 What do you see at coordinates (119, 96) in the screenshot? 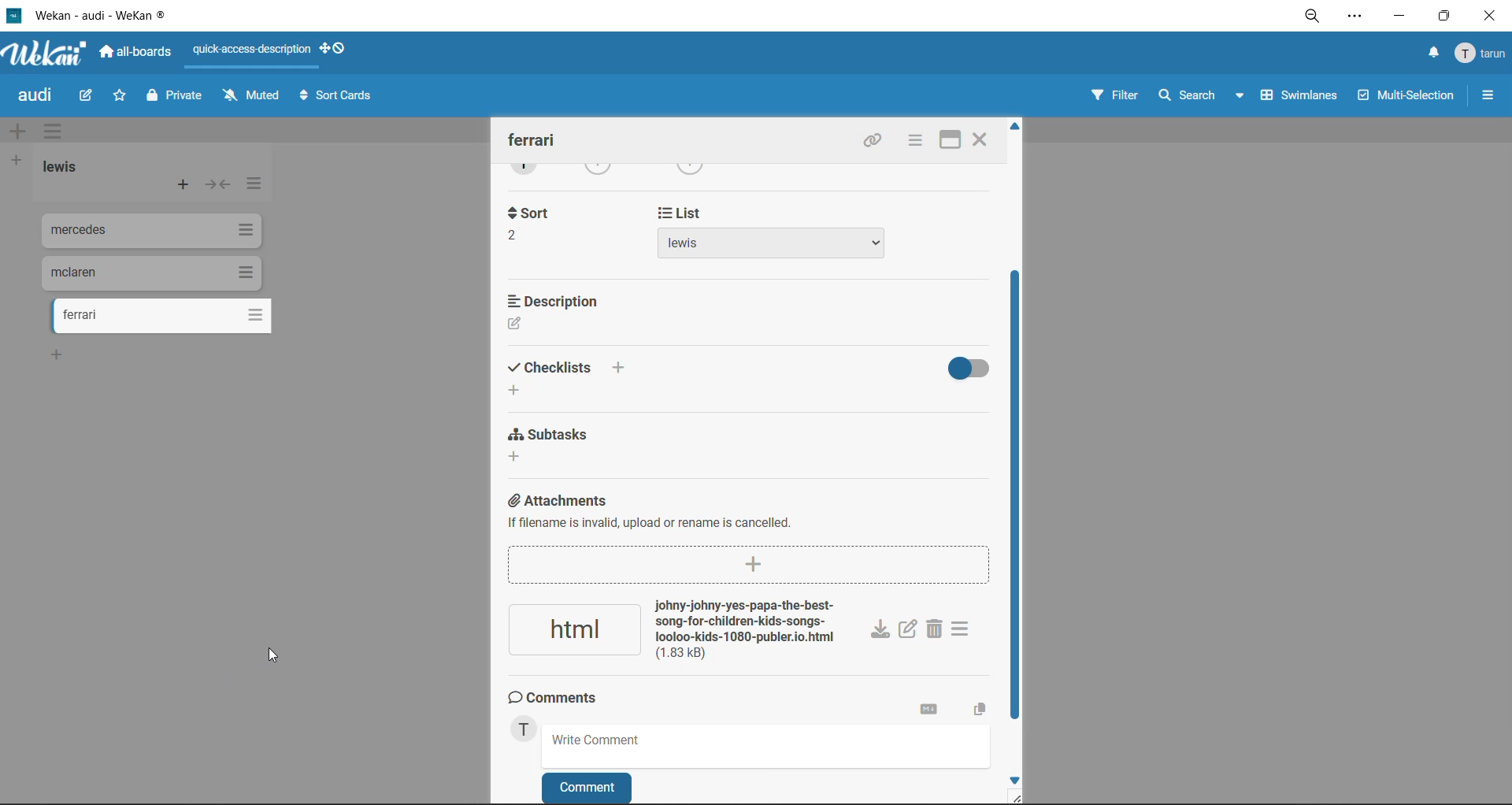
I see `star` at bounding box center [119, 96].